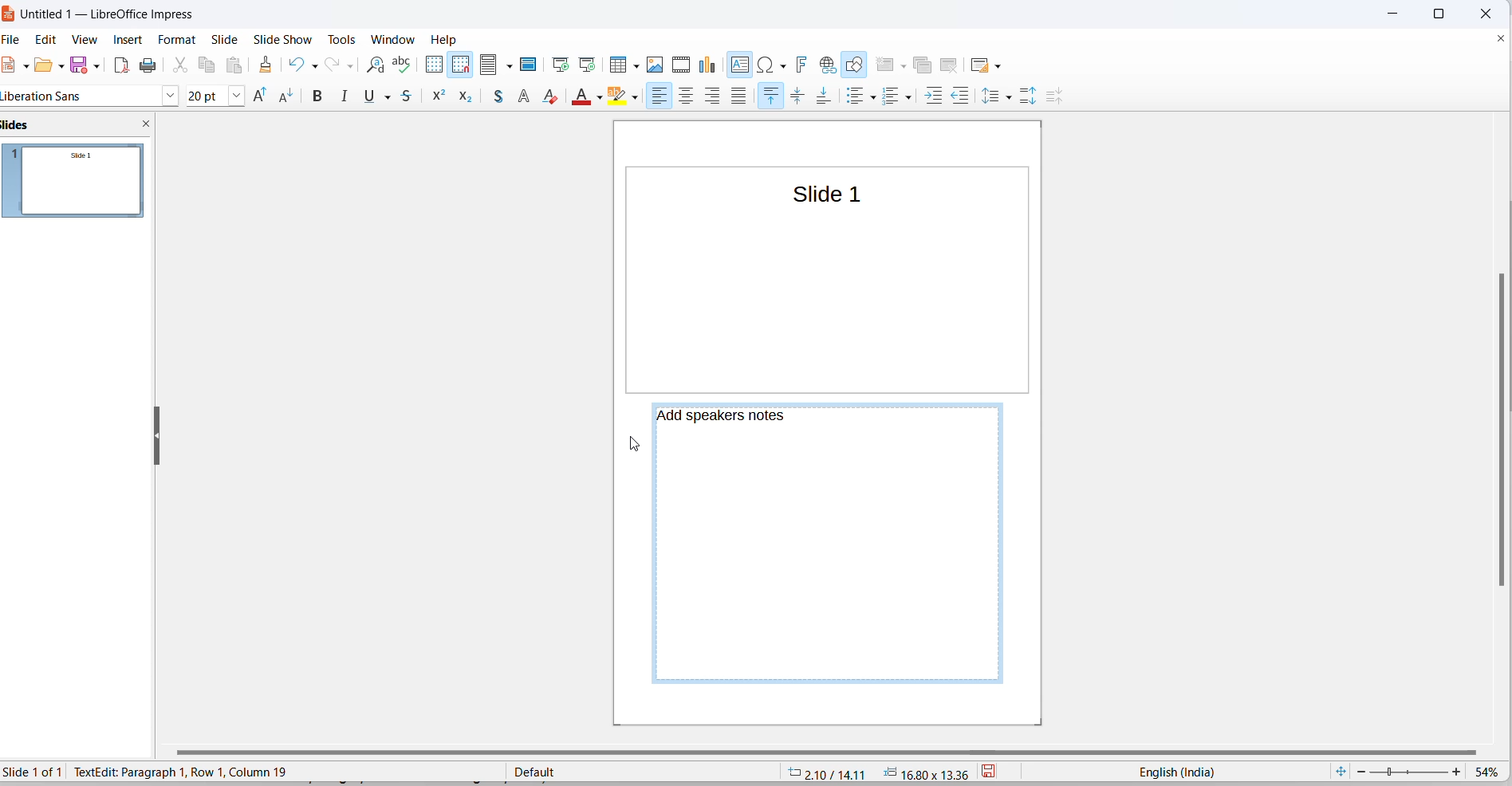 This screenshot has width=1512, height=786. Describe the element at coordinates (856, 65) in the screenshot. I see `draw shapes tools` at that location.